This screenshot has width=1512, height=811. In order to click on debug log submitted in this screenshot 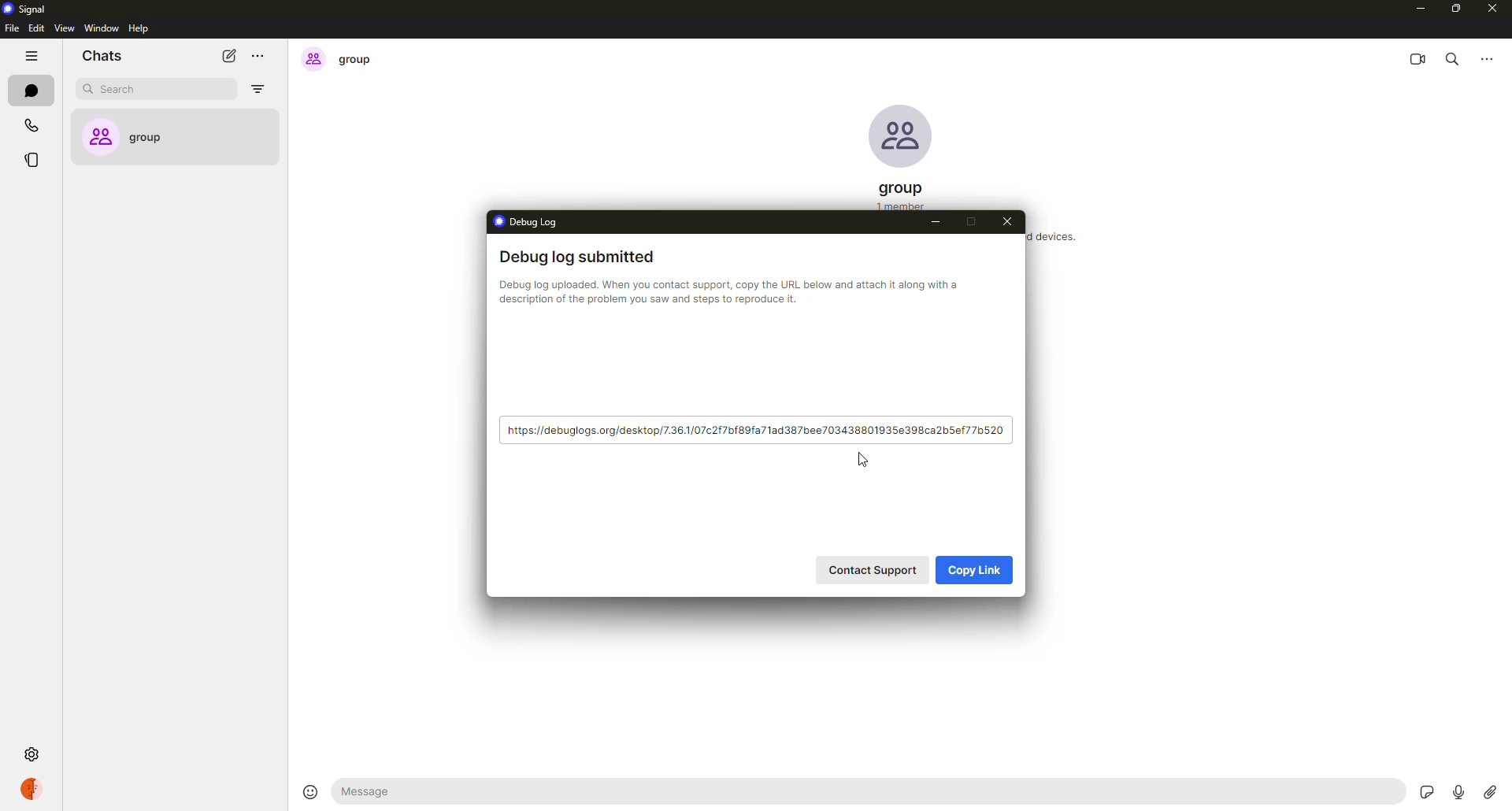, I will do `click(580, 257)`.